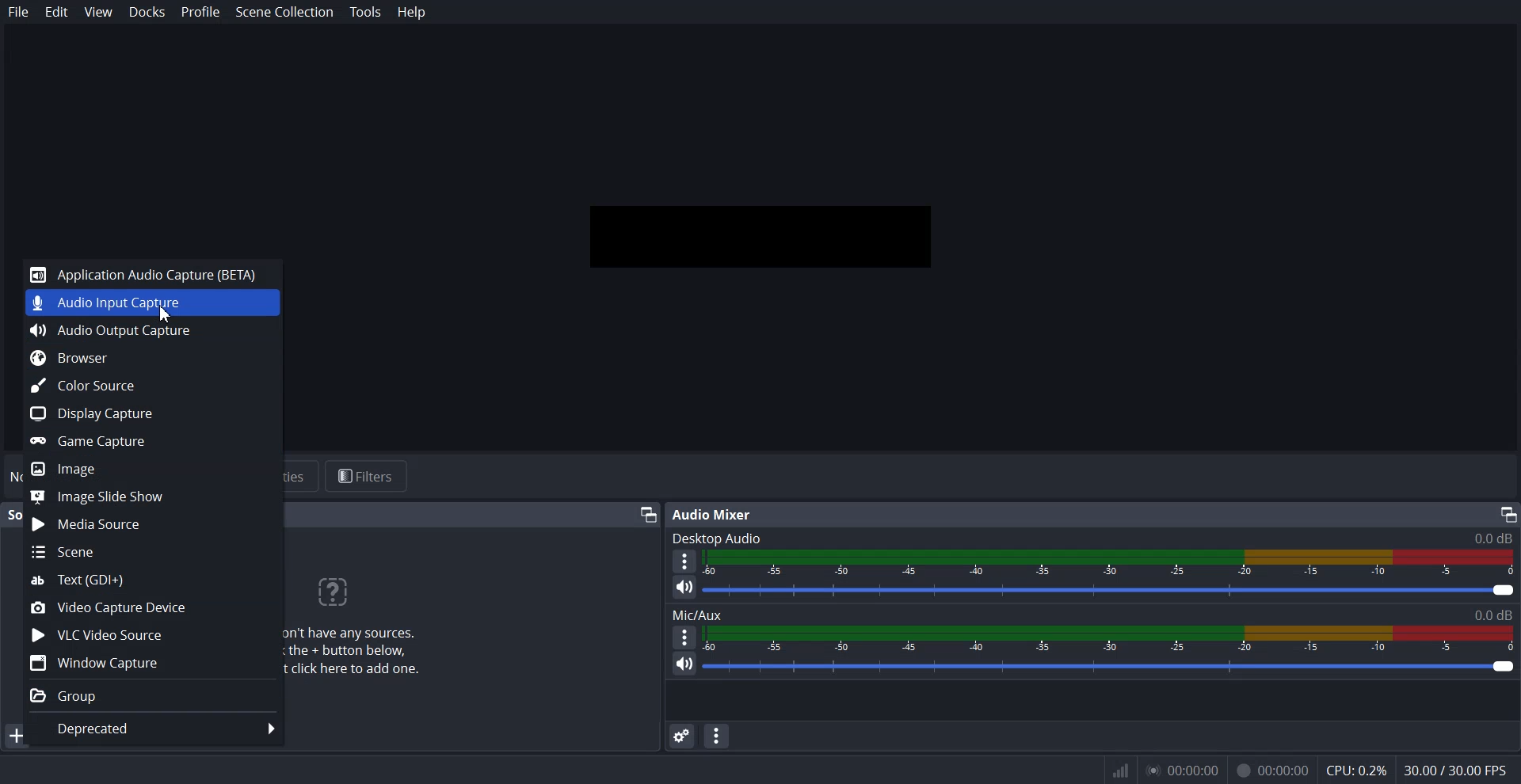 The width and height of the screenshot is (1521, 784). What do you see at coordinates (716, 736) in the screenshot?
I see `Audio mixer menu` at bounding box center [716, 736].